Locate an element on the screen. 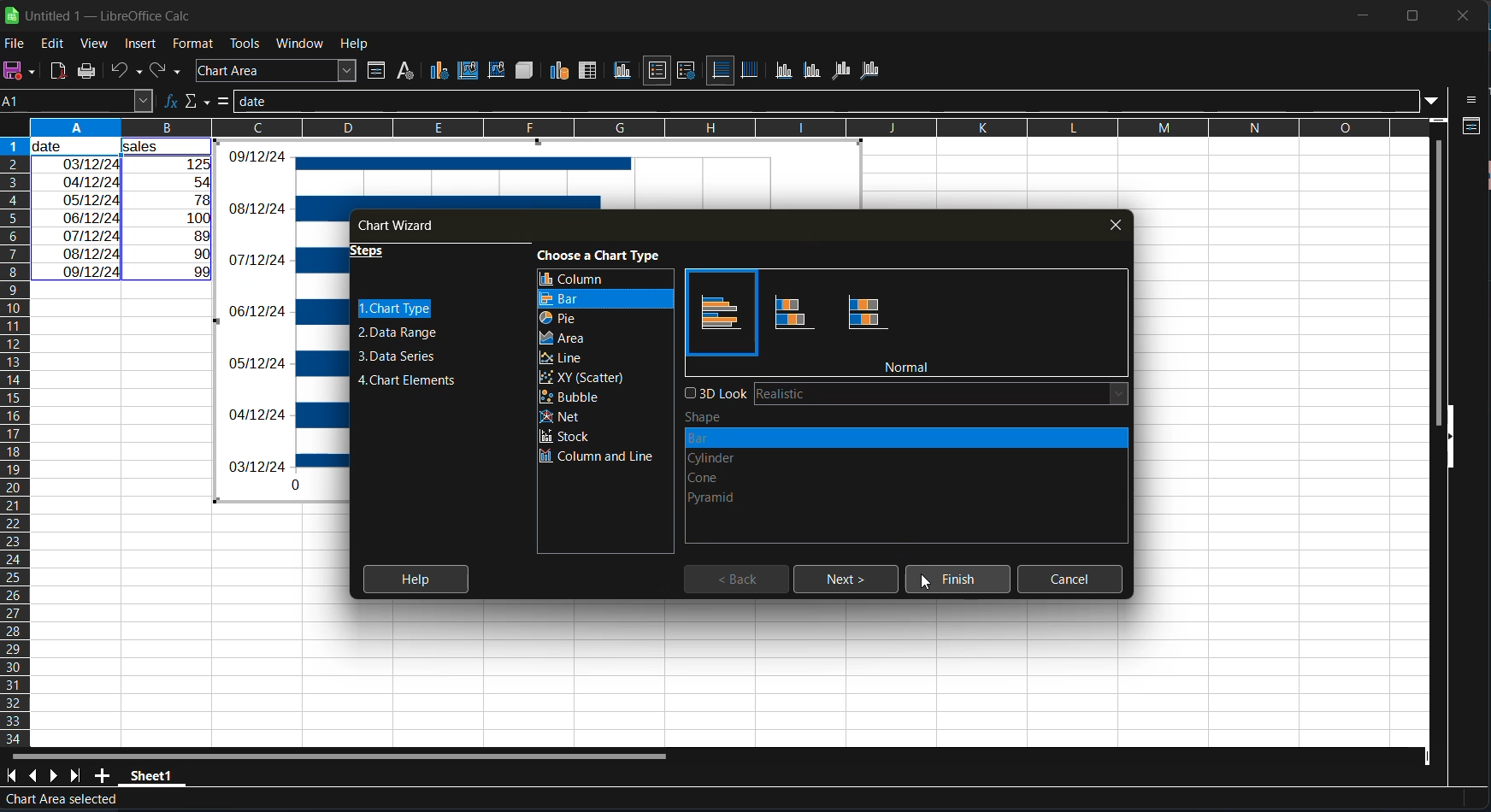 The height and width of the screenshot is (812, 1491). expand formula bar is located at coordinates (1434, 102).